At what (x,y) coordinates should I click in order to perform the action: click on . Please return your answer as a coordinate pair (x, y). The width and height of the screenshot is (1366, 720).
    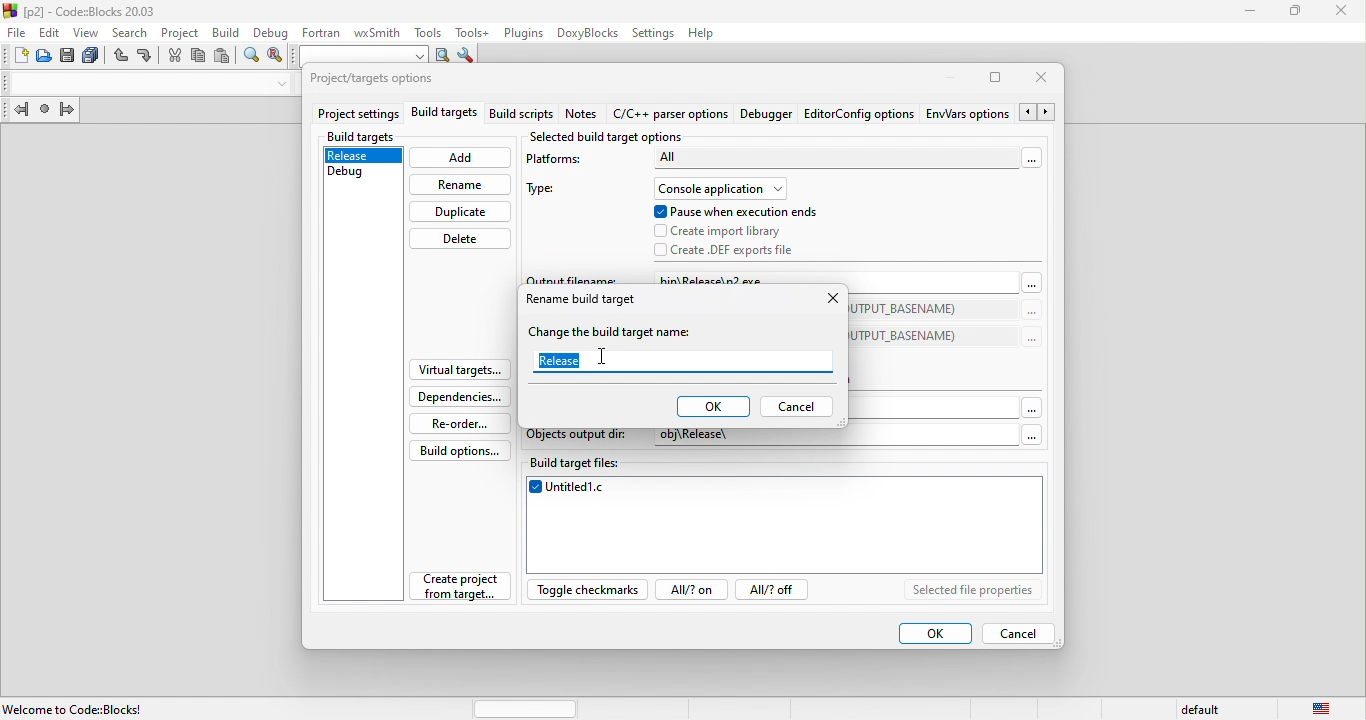
    Looking at the image, I should click on (1026, 434).